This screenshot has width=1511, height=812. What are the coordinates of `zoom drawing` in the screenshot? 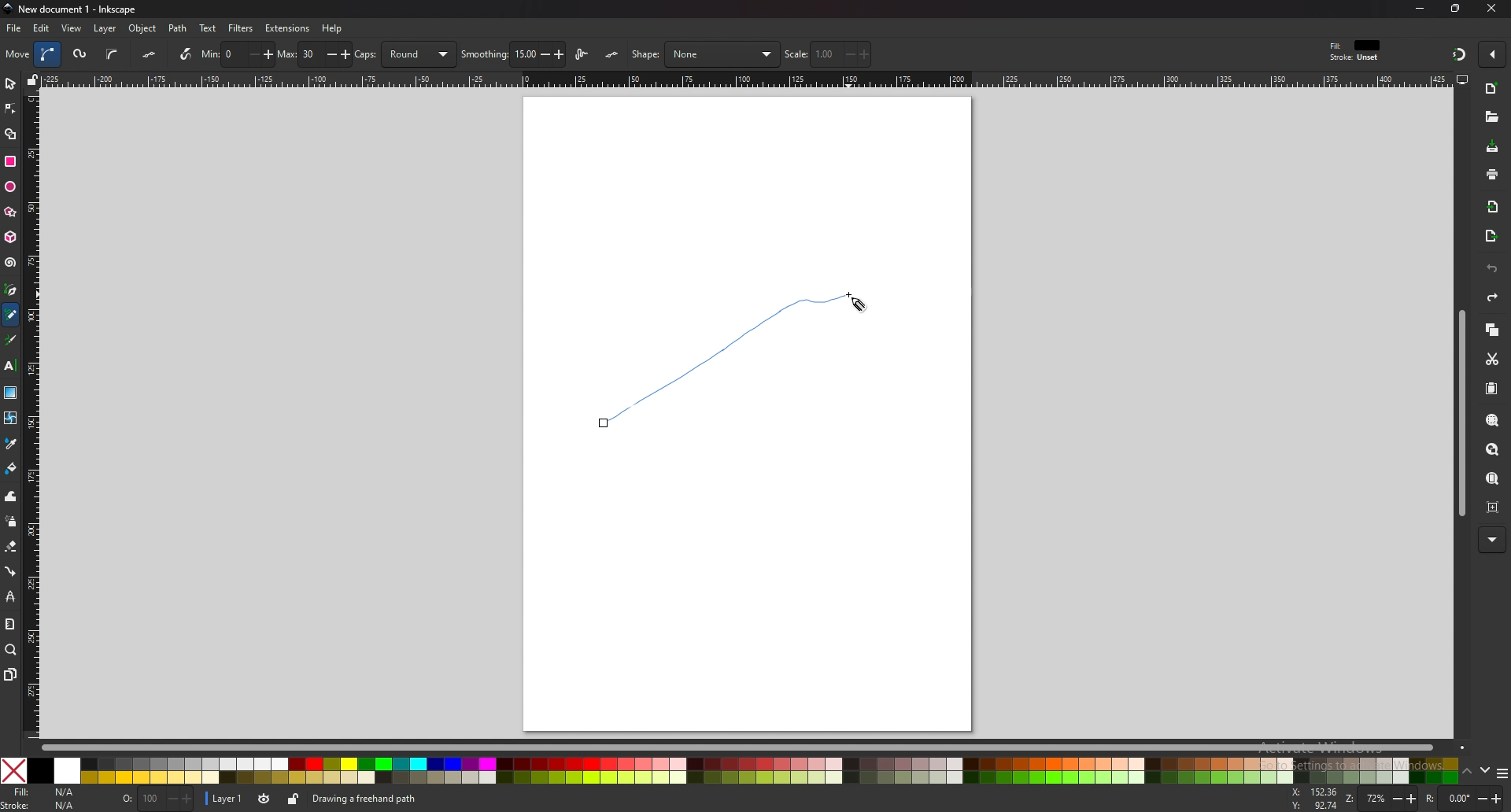 It's located at (1493, 451).